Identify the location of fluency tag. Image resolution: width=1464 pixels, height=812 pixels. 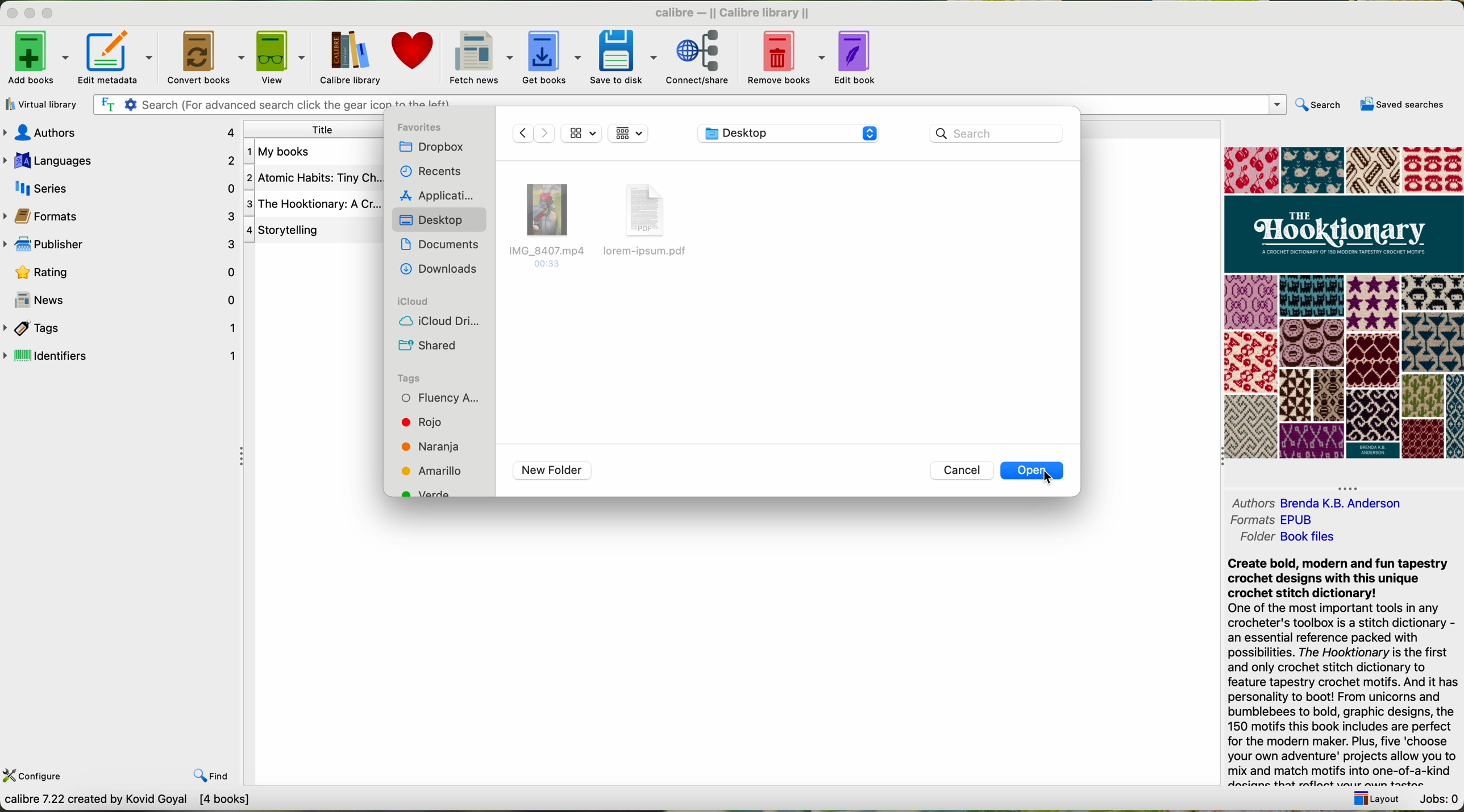
(444, 398).